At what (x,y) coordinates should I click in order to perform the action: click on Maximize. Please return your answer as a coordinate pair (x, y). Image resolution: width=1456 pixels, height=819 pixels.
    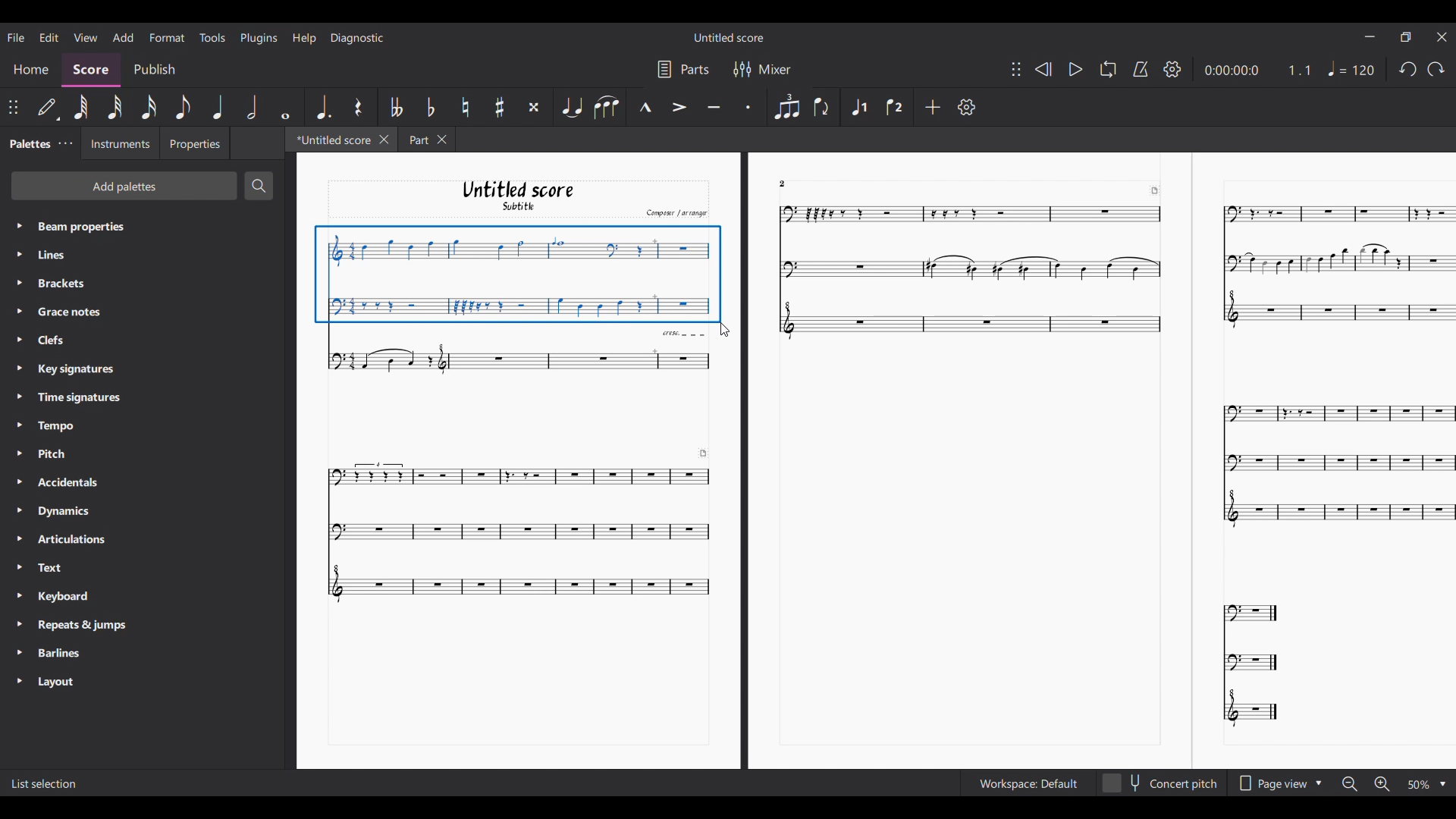
    Looking at the image, I should click on (1406, 39).